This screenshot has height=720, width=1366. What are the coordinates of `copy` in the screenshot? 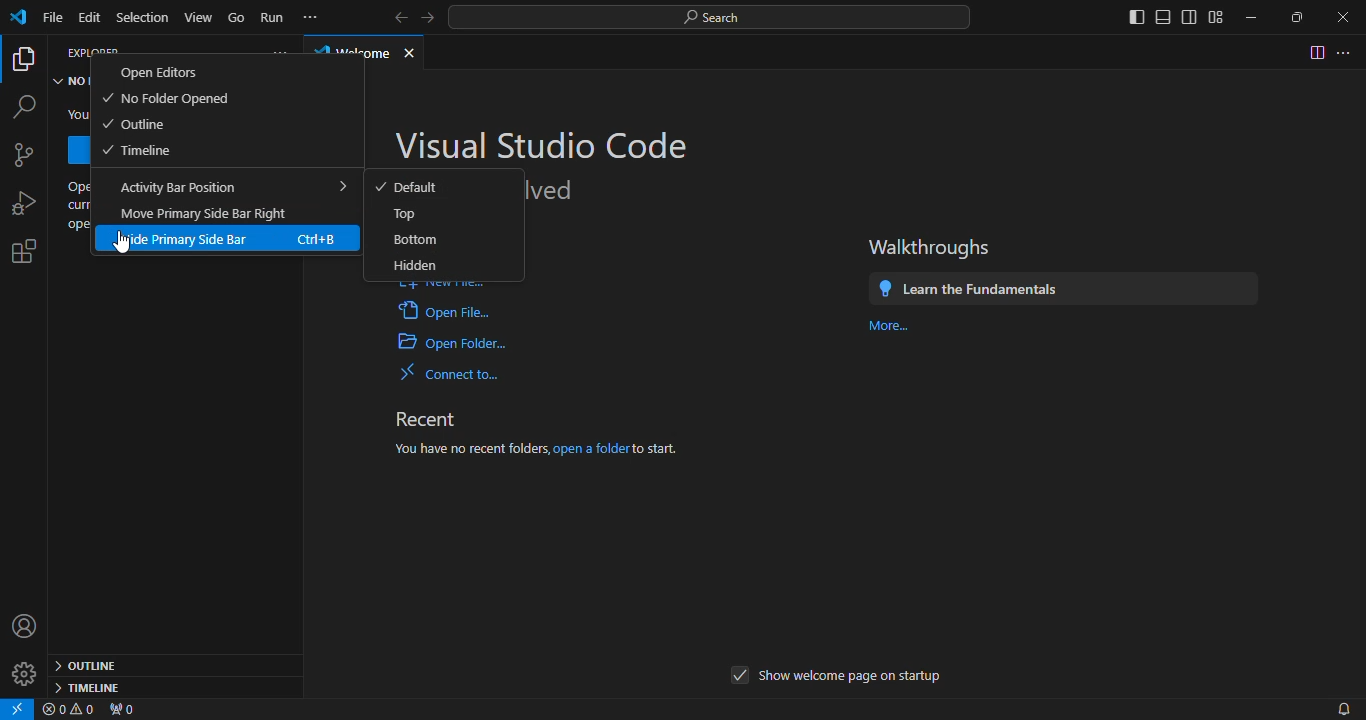 It's located at (23, 61).